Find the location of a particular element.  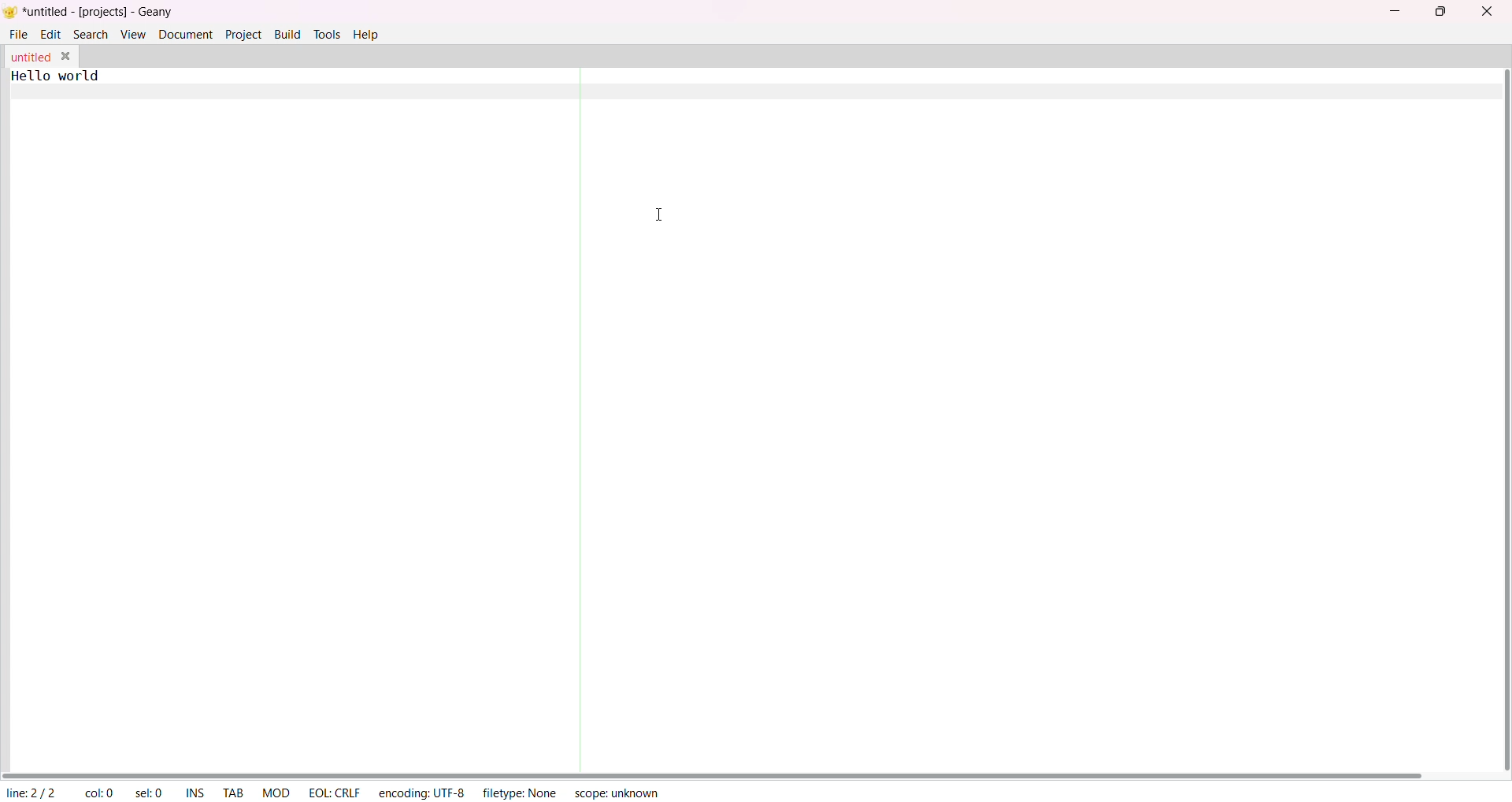

minimize is located at coordinates (1399, 9).